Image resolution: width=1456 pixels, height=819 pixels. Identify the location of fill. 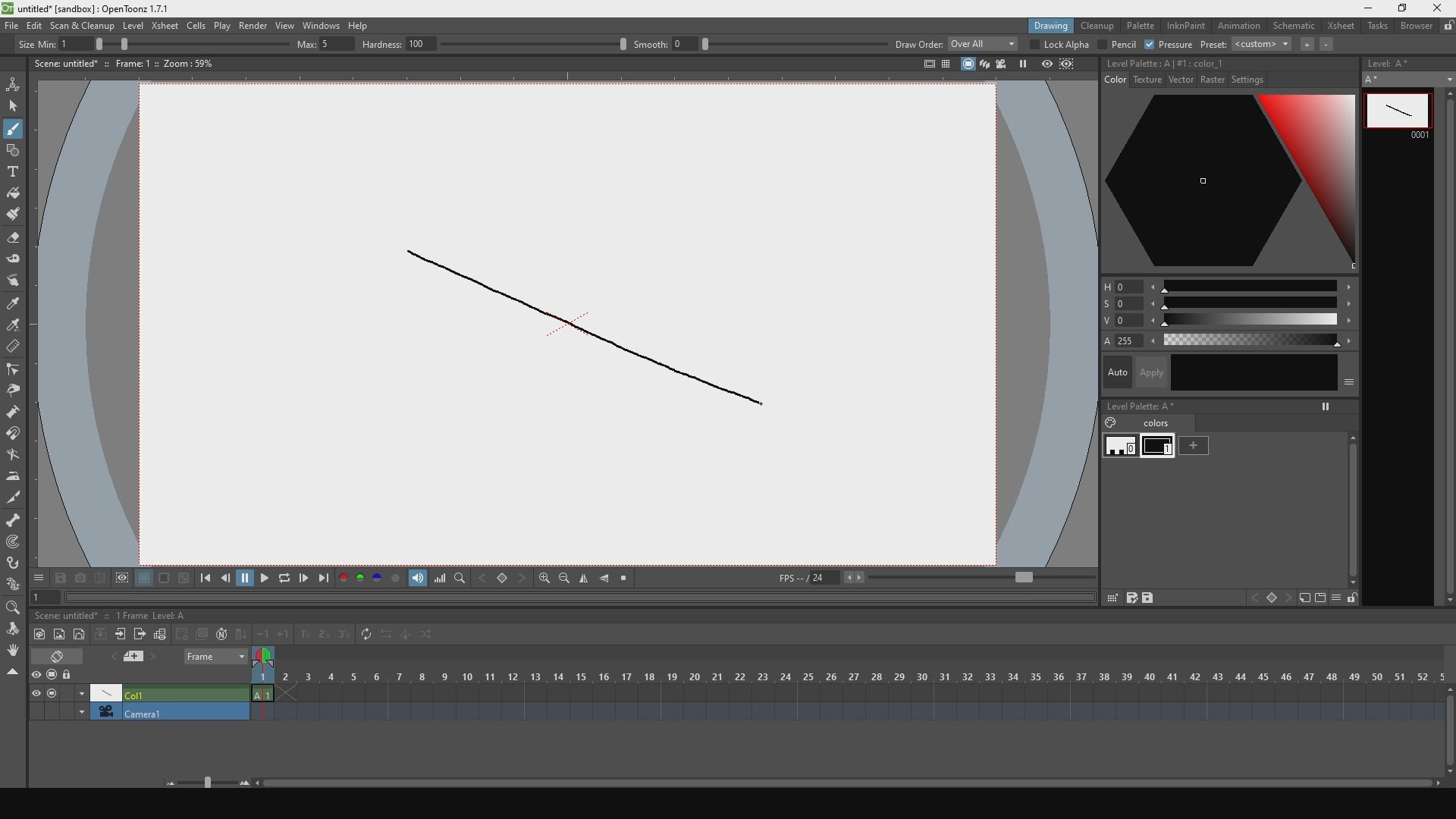
(14, 193).